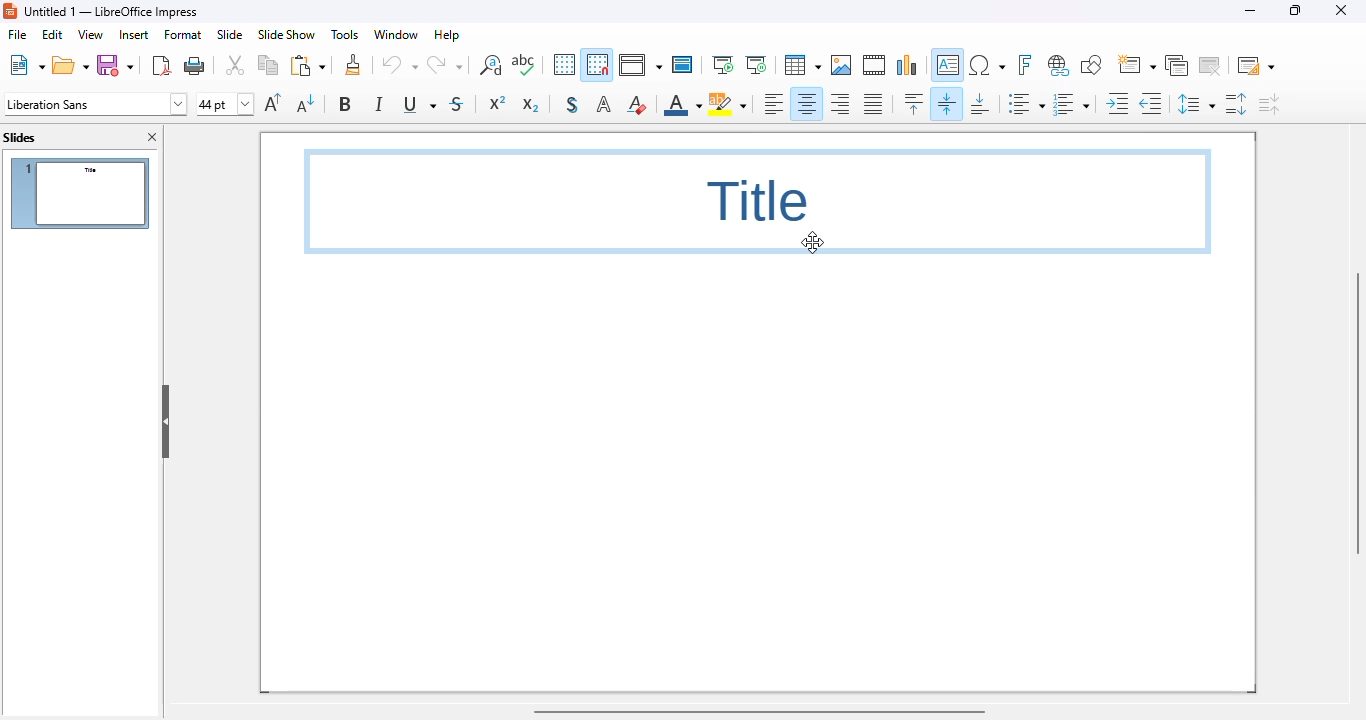 Image resolution: width=1366 pixels, height=720 pixels. Describe the element at coordinates (806, 104) in the screenshot. I see `align center` at that location.